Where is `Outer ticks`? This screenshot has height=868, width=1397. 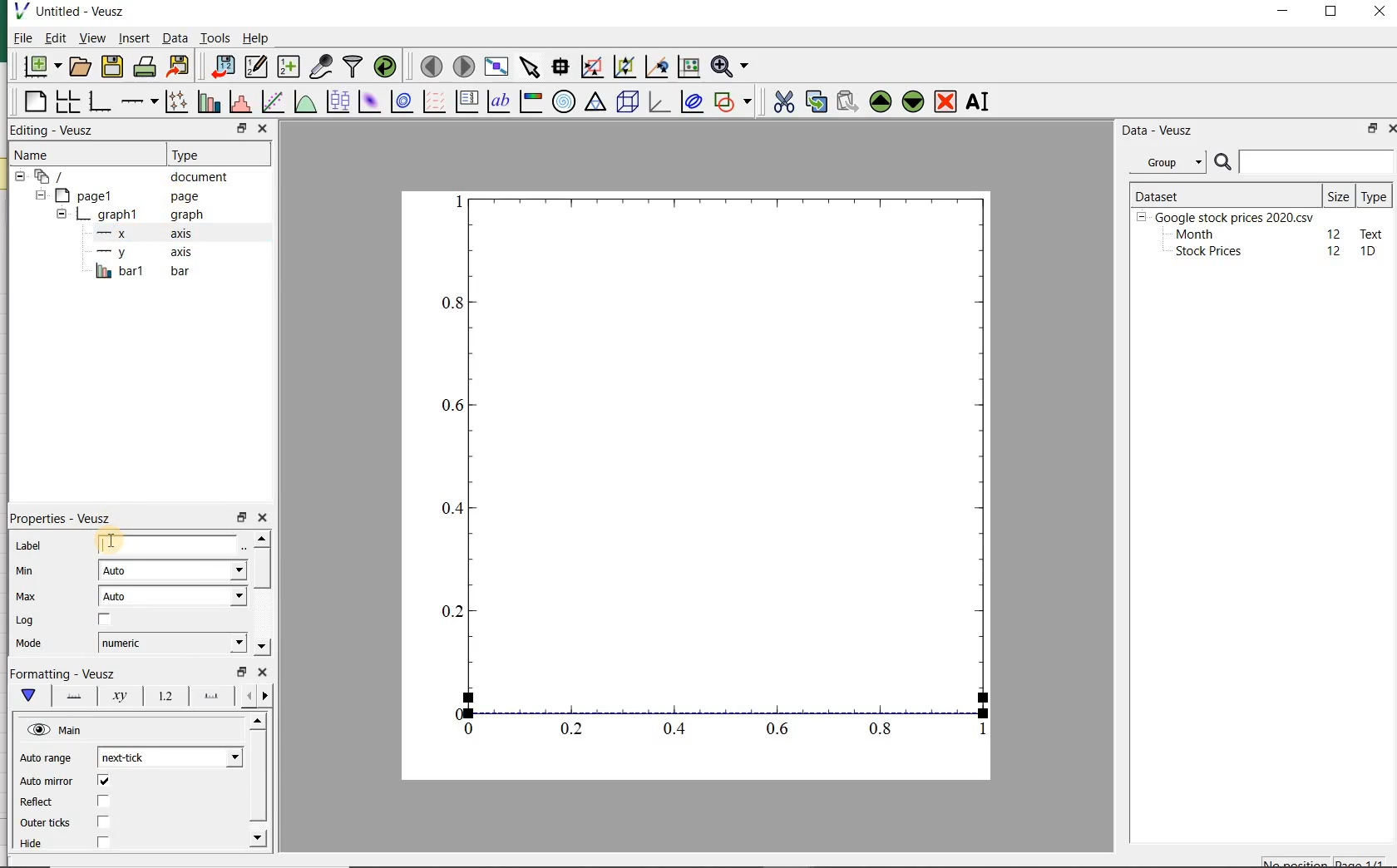 Outer ticks is located at coordinates (45, 823).